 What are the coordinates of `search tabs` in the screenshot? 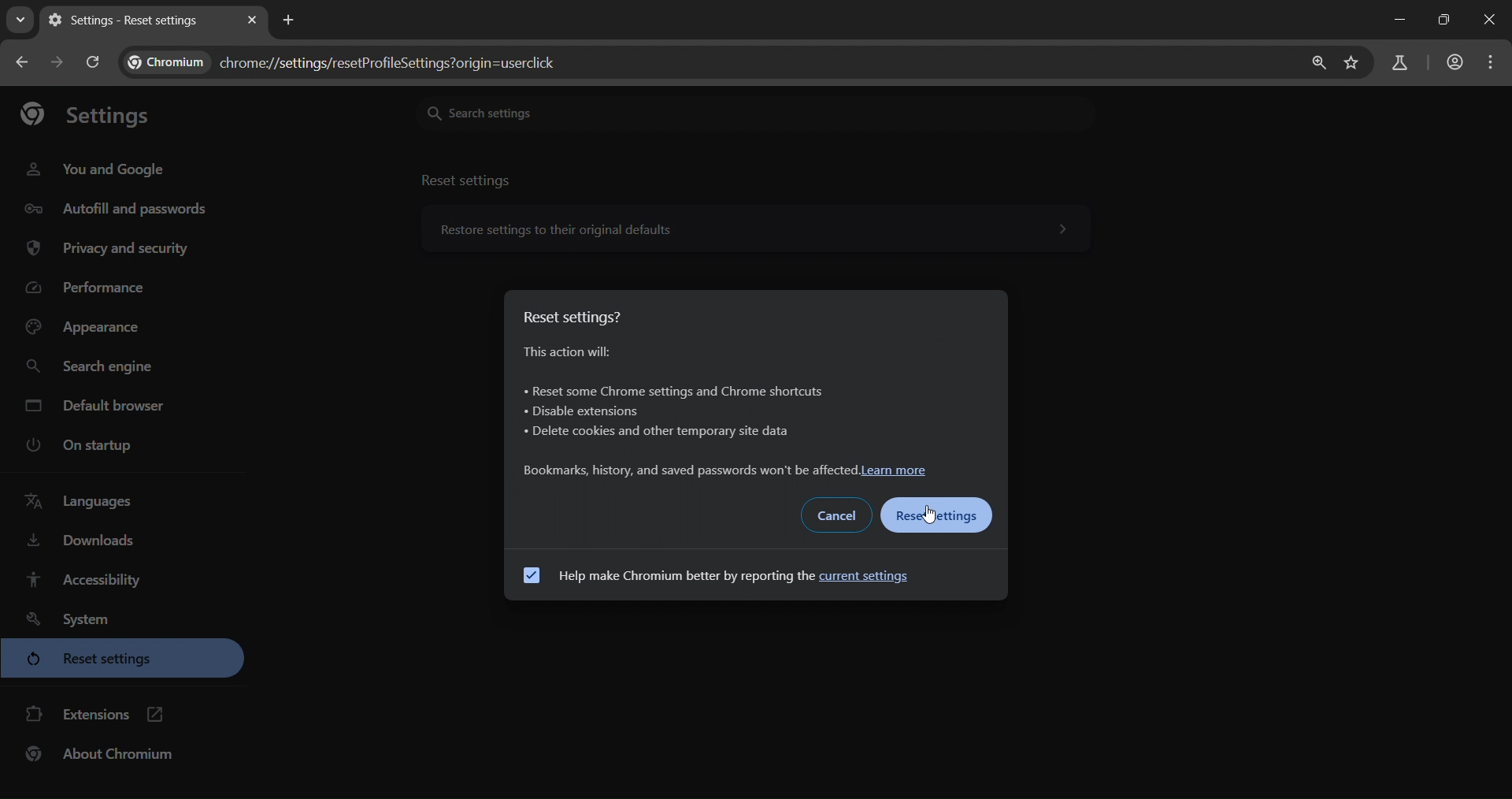 It's located at (22, 21).